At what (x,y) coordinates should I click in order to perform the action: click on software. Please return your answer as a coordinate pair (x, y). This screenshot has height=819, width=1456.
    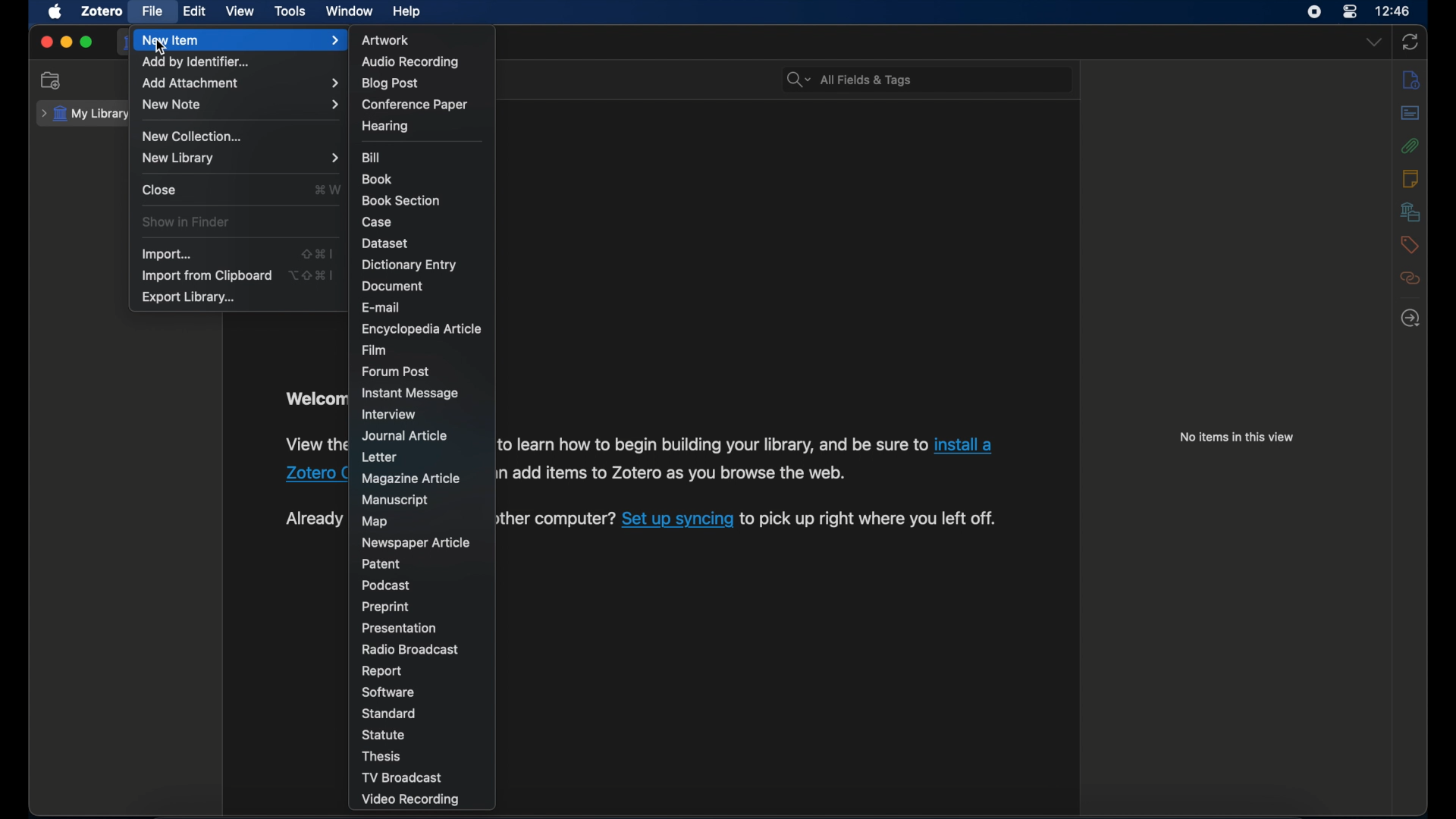
    Looking at the image, I should click on (387, 693).